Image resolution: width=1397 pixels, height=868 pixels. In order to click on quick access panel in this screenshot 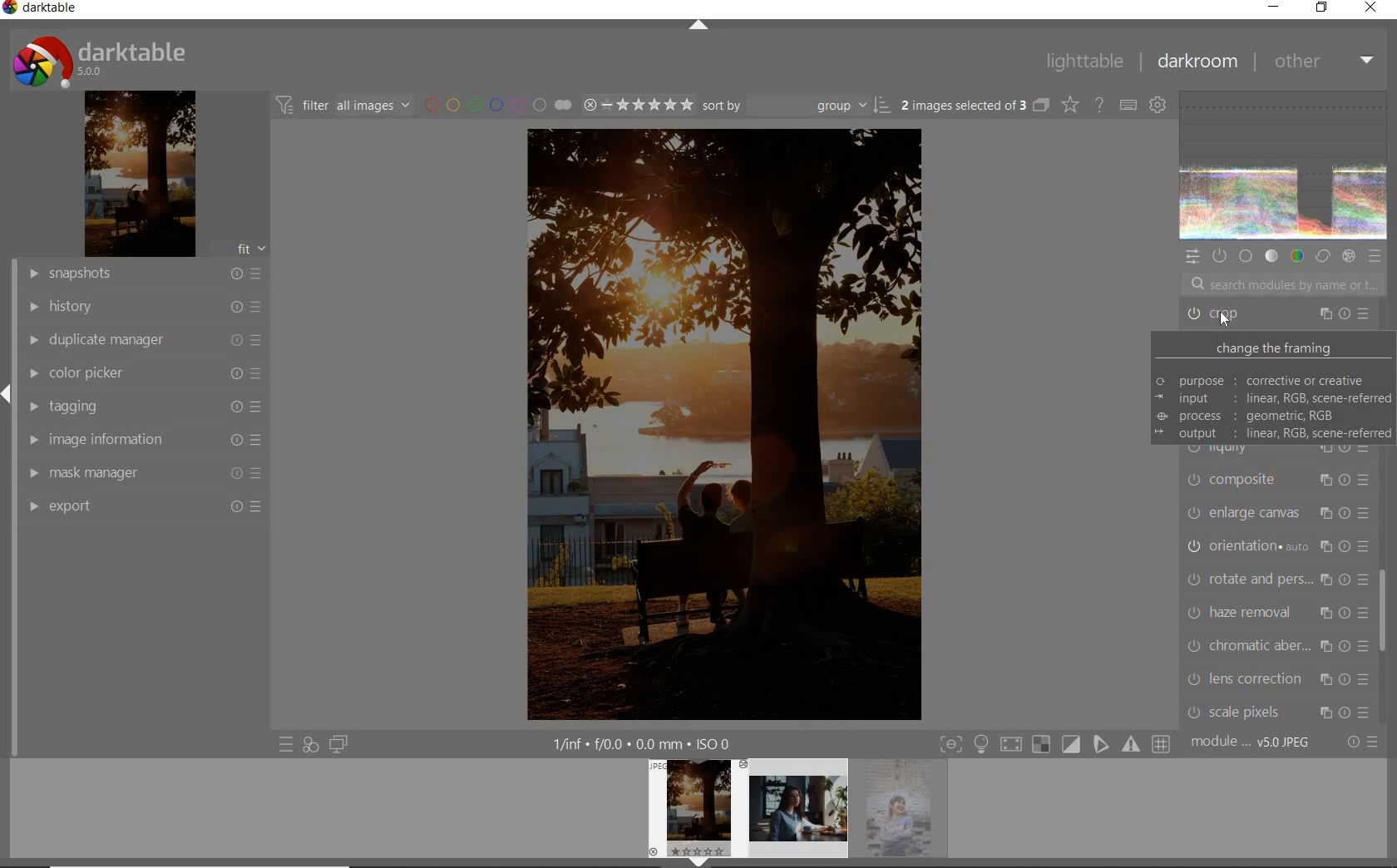, I will do `click(1192, 259)`.